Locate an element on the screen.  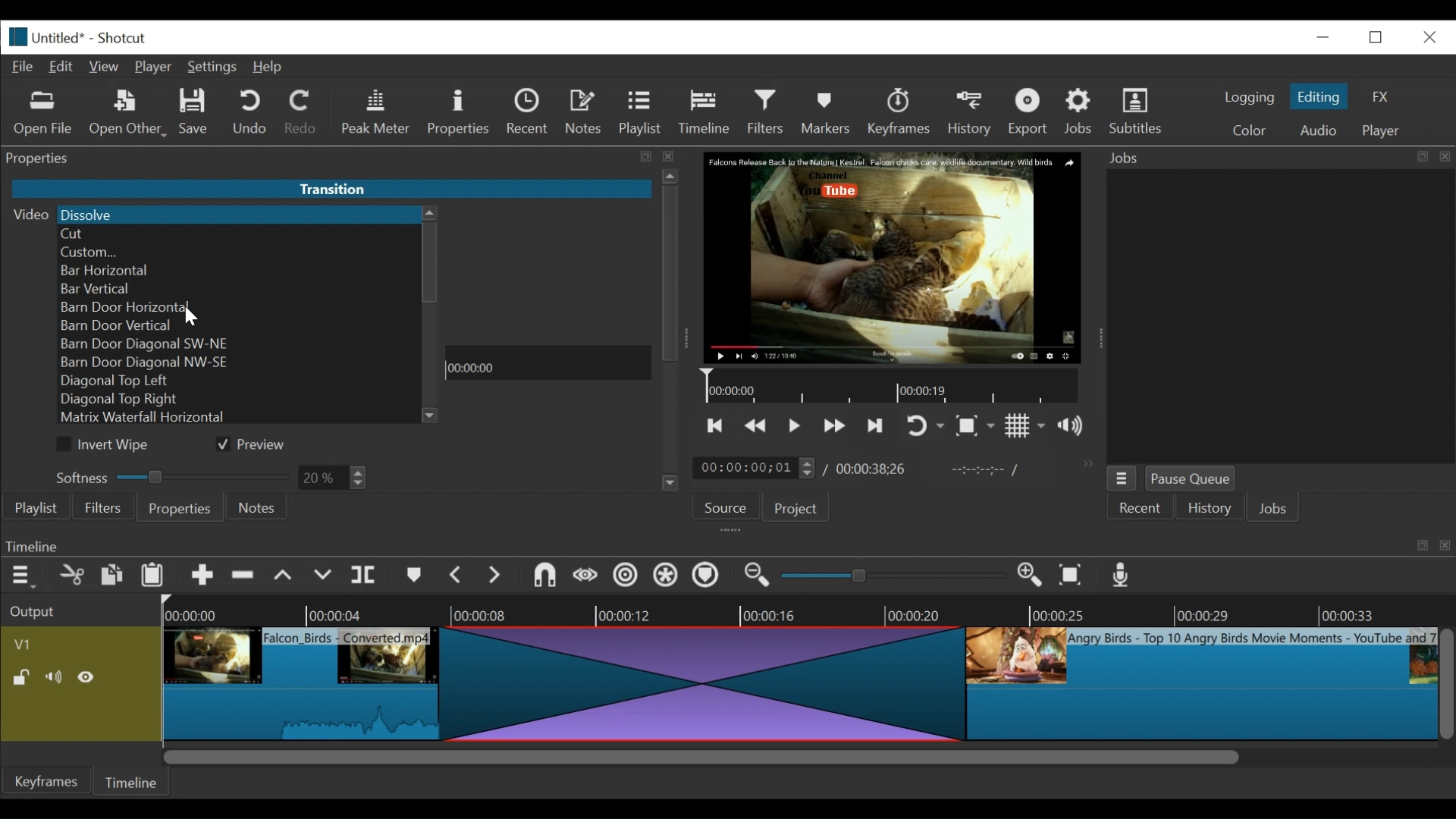
Editing is located at coordinates (1321, 96).